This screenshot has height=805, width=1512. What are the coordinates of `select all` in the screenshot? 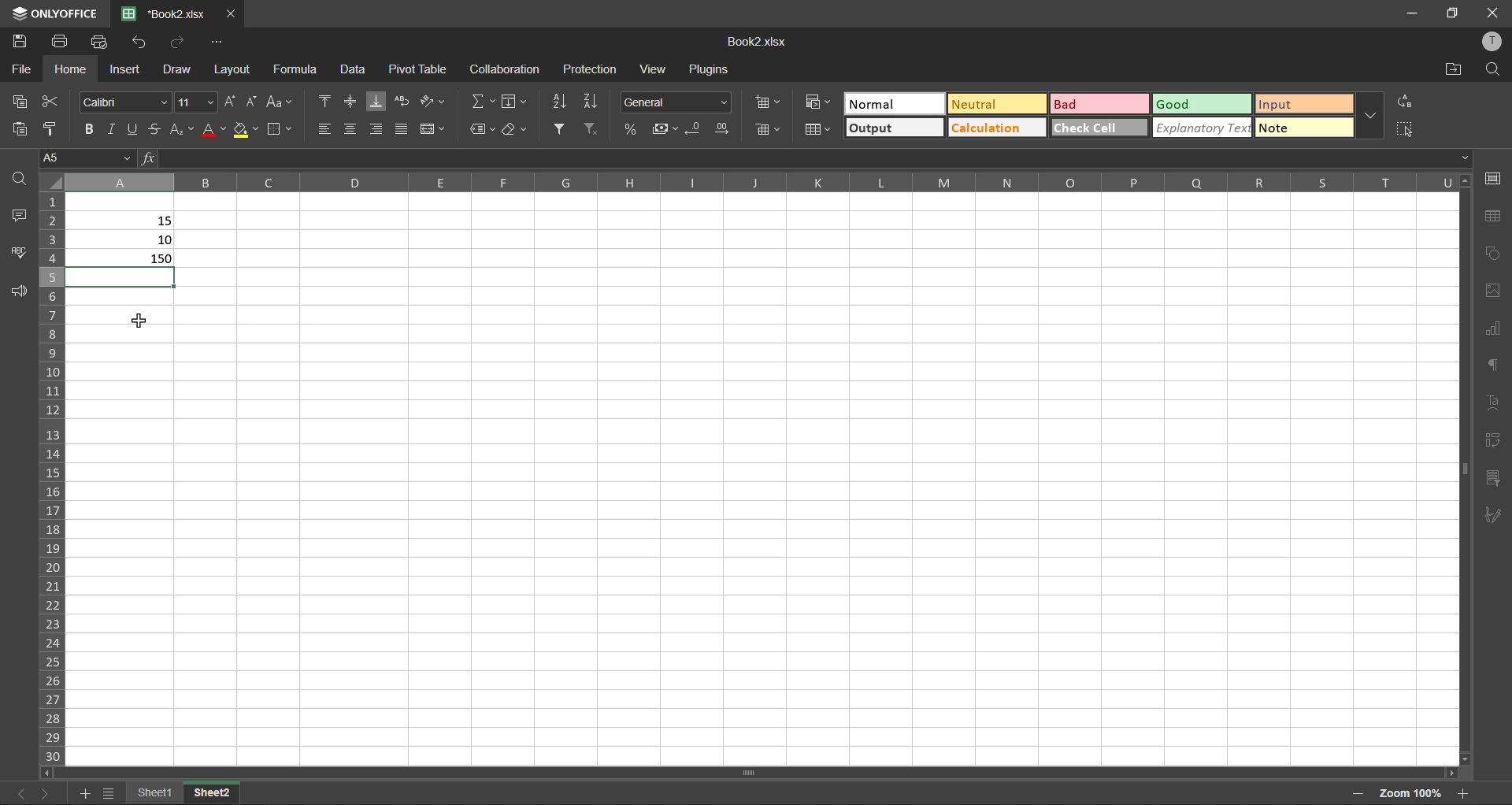 It's located at (1406, 128).